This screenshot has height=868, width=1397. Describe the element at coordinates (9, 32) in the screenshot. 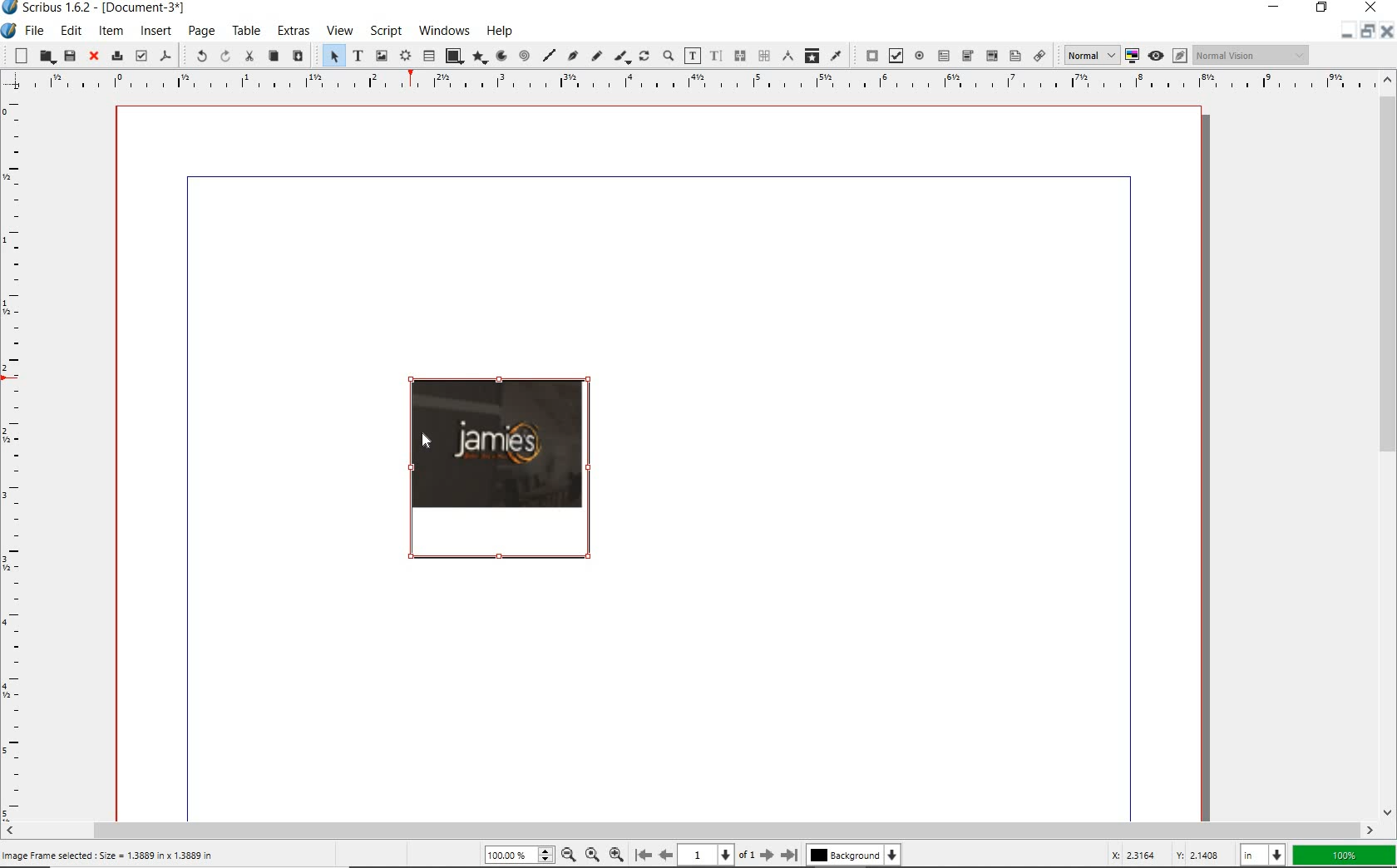

I see `SYSTEM ICON` at that location.